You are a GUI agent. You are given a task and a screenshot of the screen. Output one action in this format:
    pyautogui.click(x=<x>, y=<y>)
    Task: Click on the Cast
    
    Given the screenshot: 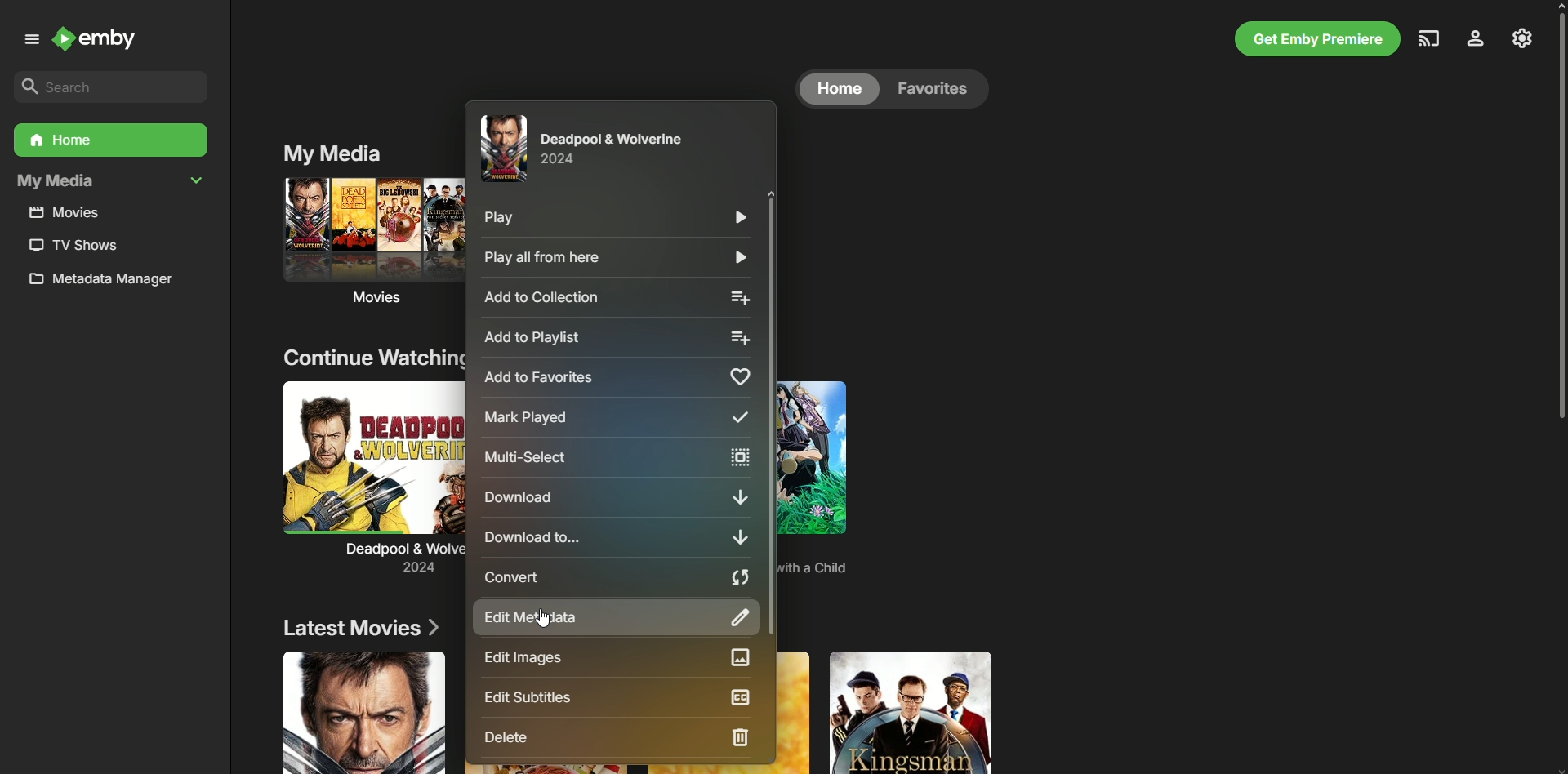 What is the action you would take?
    pyautogui.click(x=1427, y=38)
    